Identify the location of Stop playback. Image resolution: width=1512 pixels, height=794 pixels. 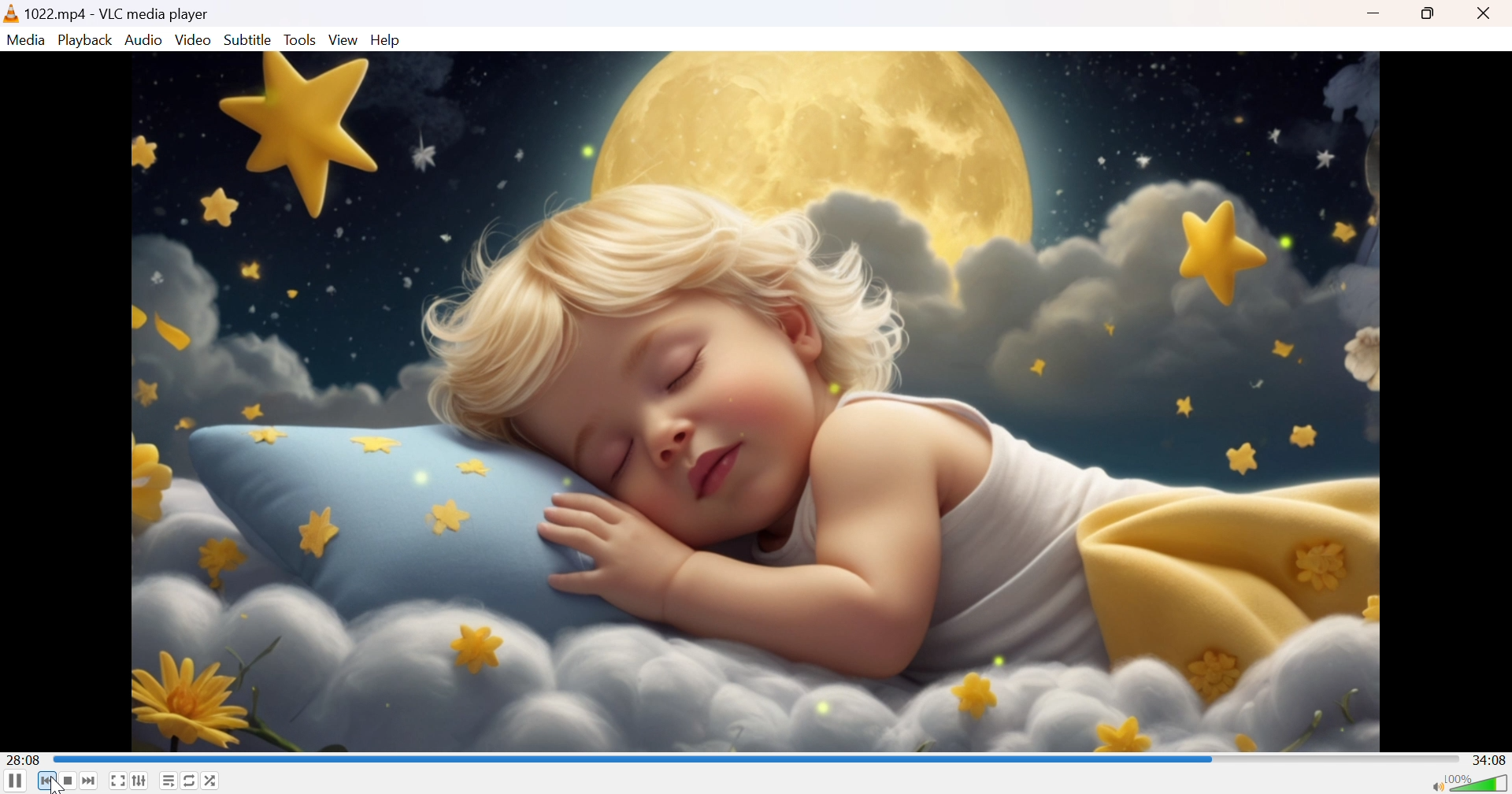
(69, 781).